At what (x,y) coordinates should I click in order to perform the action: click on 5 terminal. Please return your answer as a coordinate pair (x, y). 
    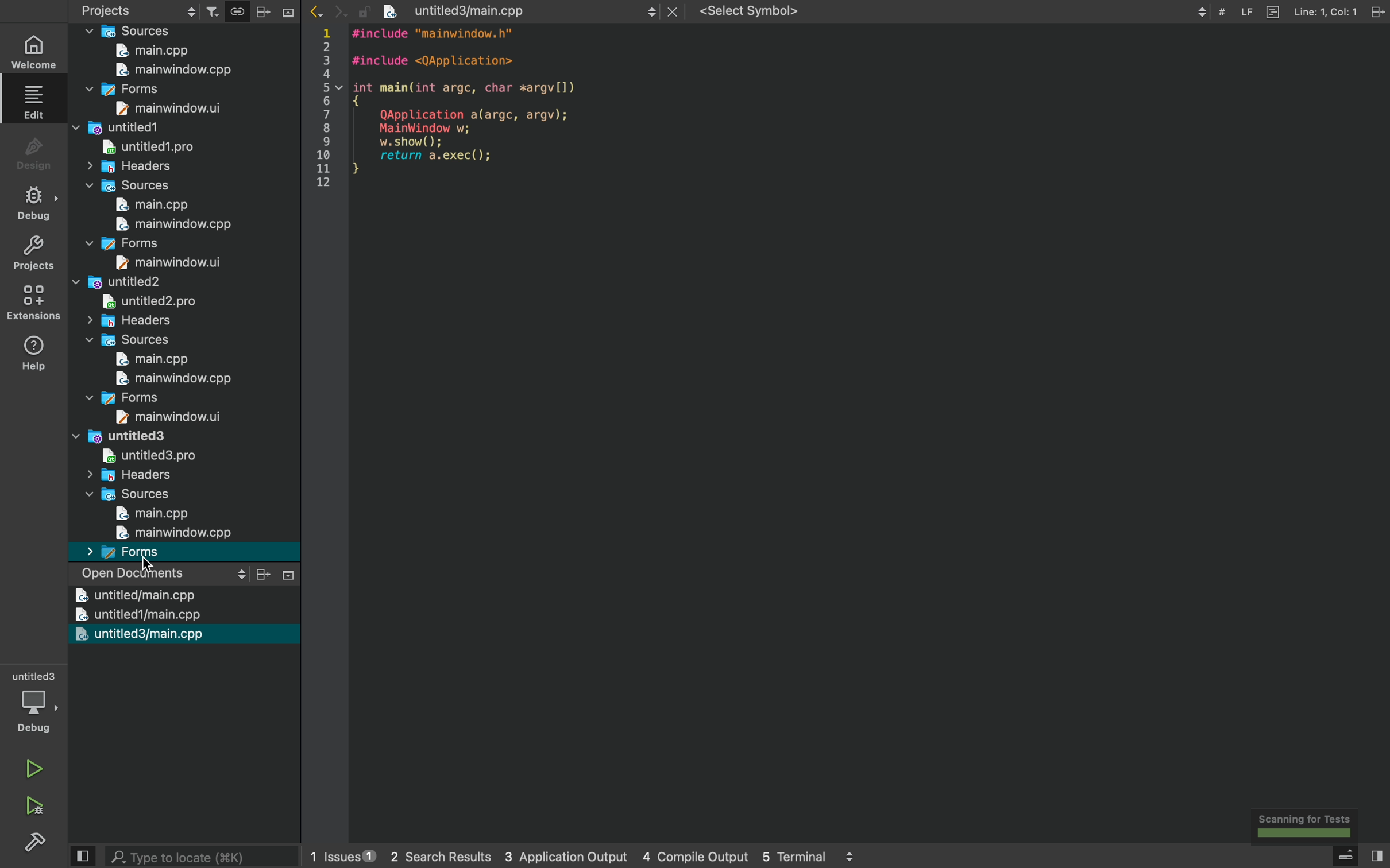
    Looking at the image, I should click on (803, 857).